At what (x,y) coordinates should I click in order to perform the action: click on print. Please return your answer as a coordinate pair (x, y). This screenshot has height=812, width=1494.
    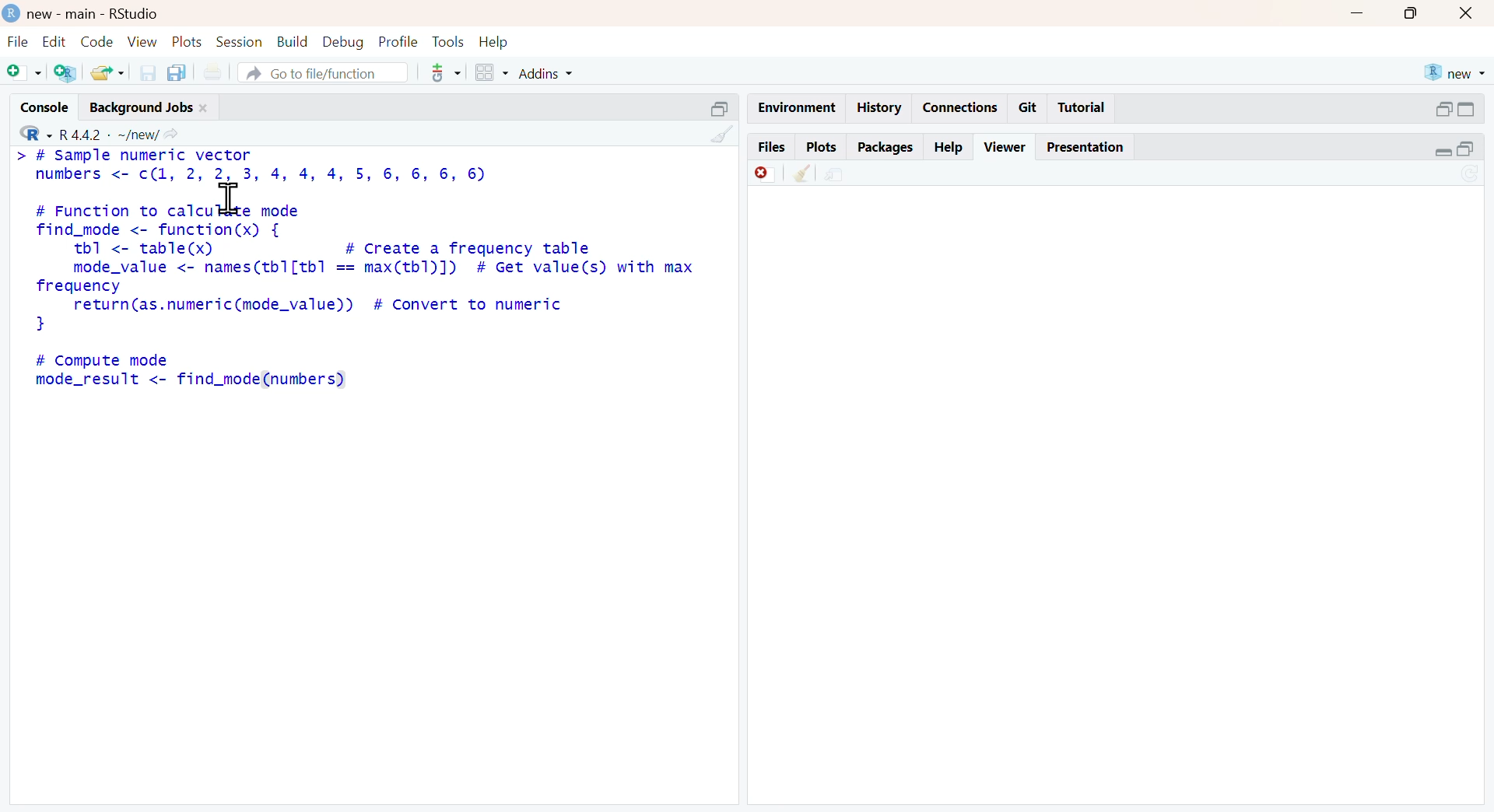
    Looking at the image, I should click on (213, 73).